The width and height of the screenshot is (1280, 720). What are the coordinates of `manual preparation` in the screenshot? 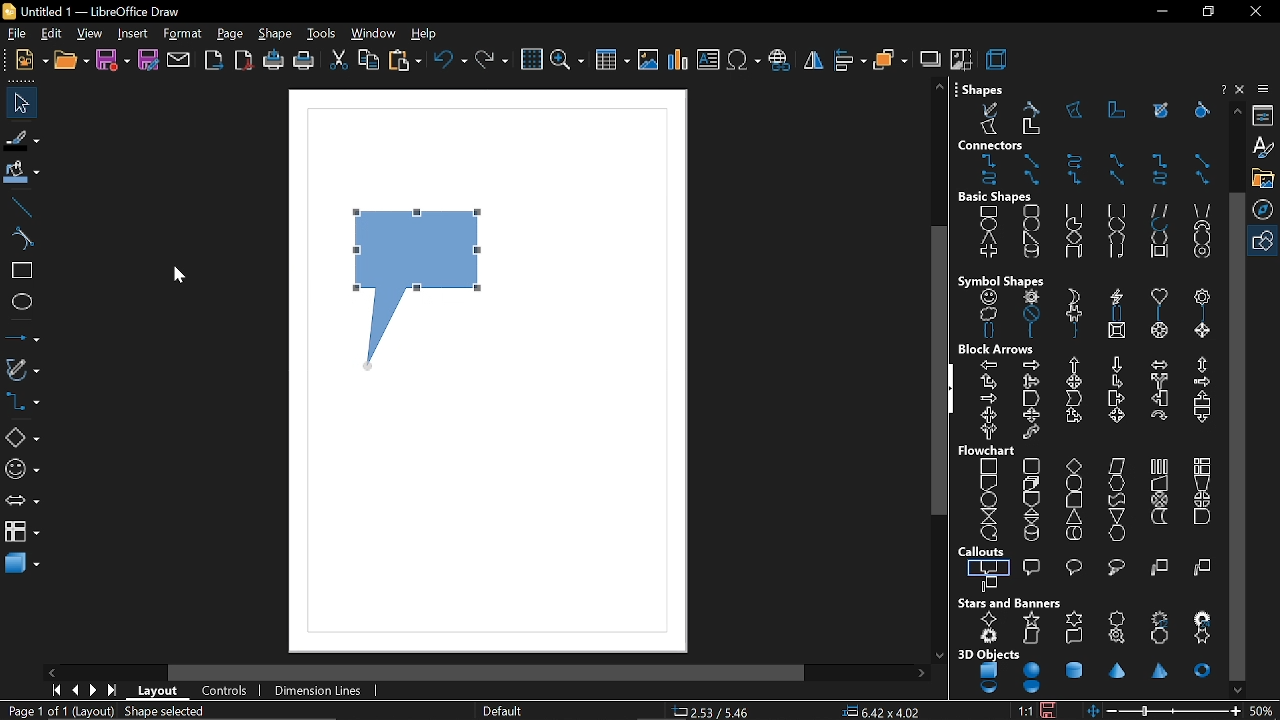 It's located at (1202, 482).